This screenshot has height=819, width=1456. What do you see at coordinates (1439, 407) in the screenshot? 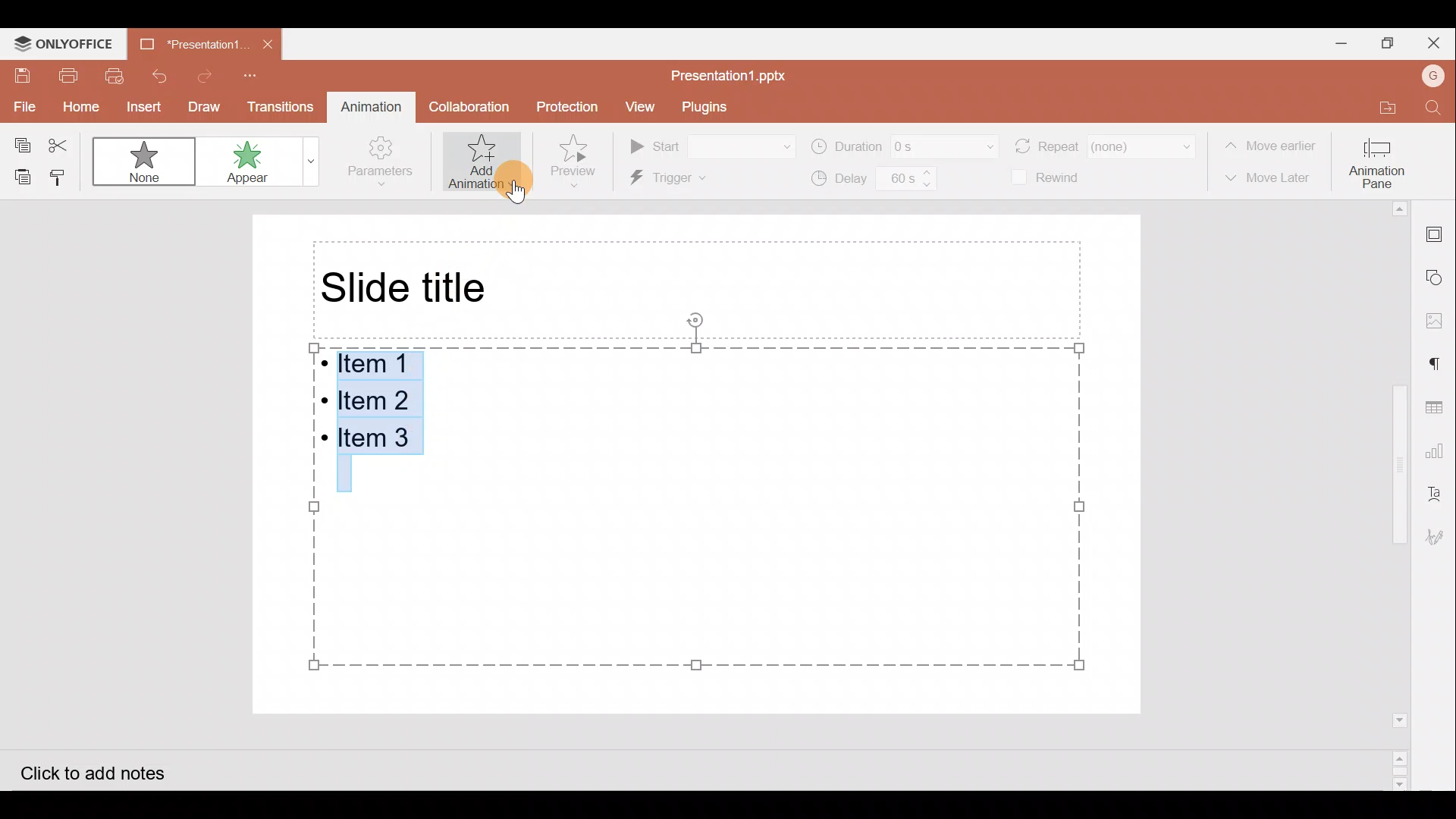
I see `Table settings` at bounding box center [1439, 407].